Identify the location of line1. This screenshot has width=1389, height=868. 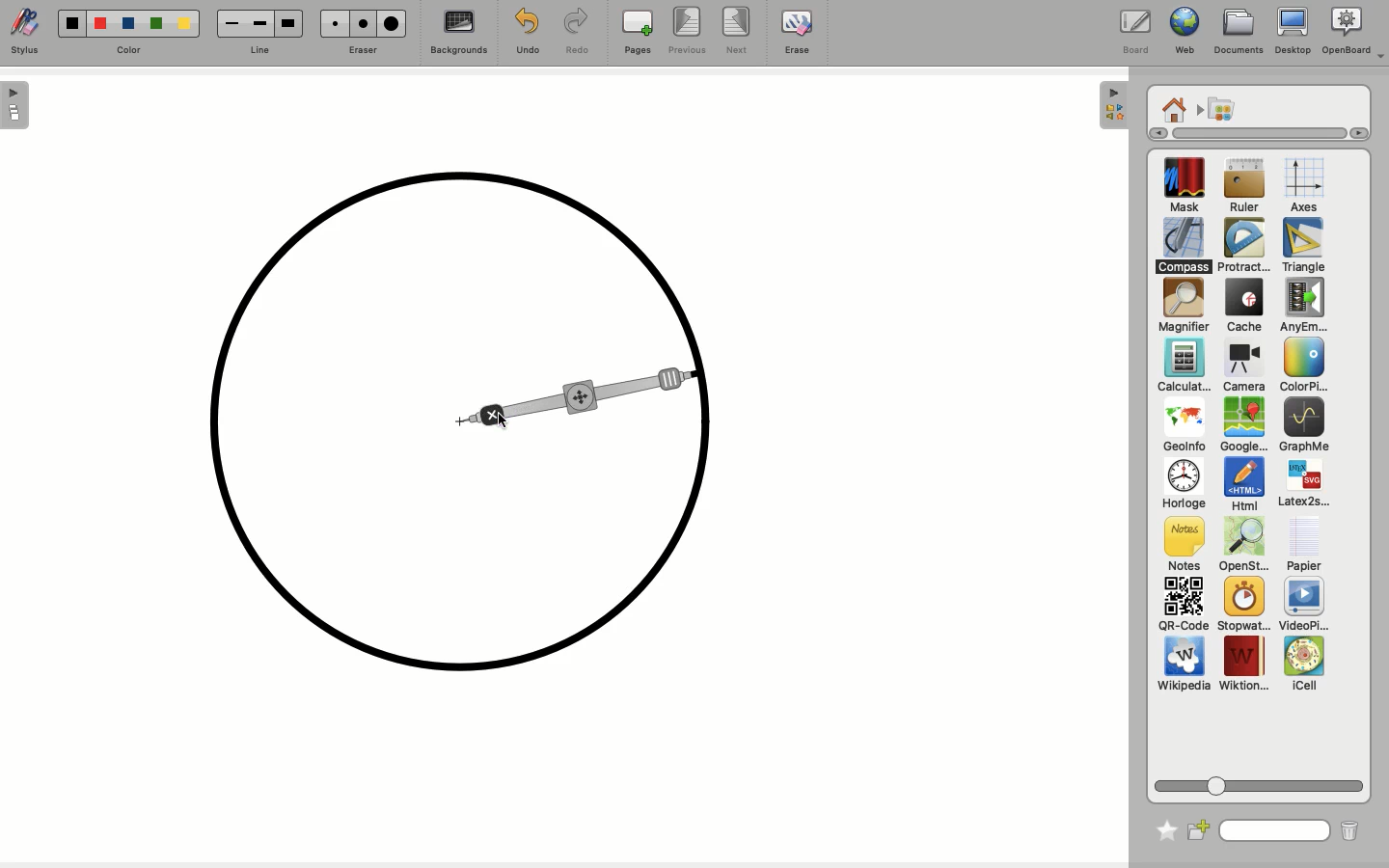
(231, 22).